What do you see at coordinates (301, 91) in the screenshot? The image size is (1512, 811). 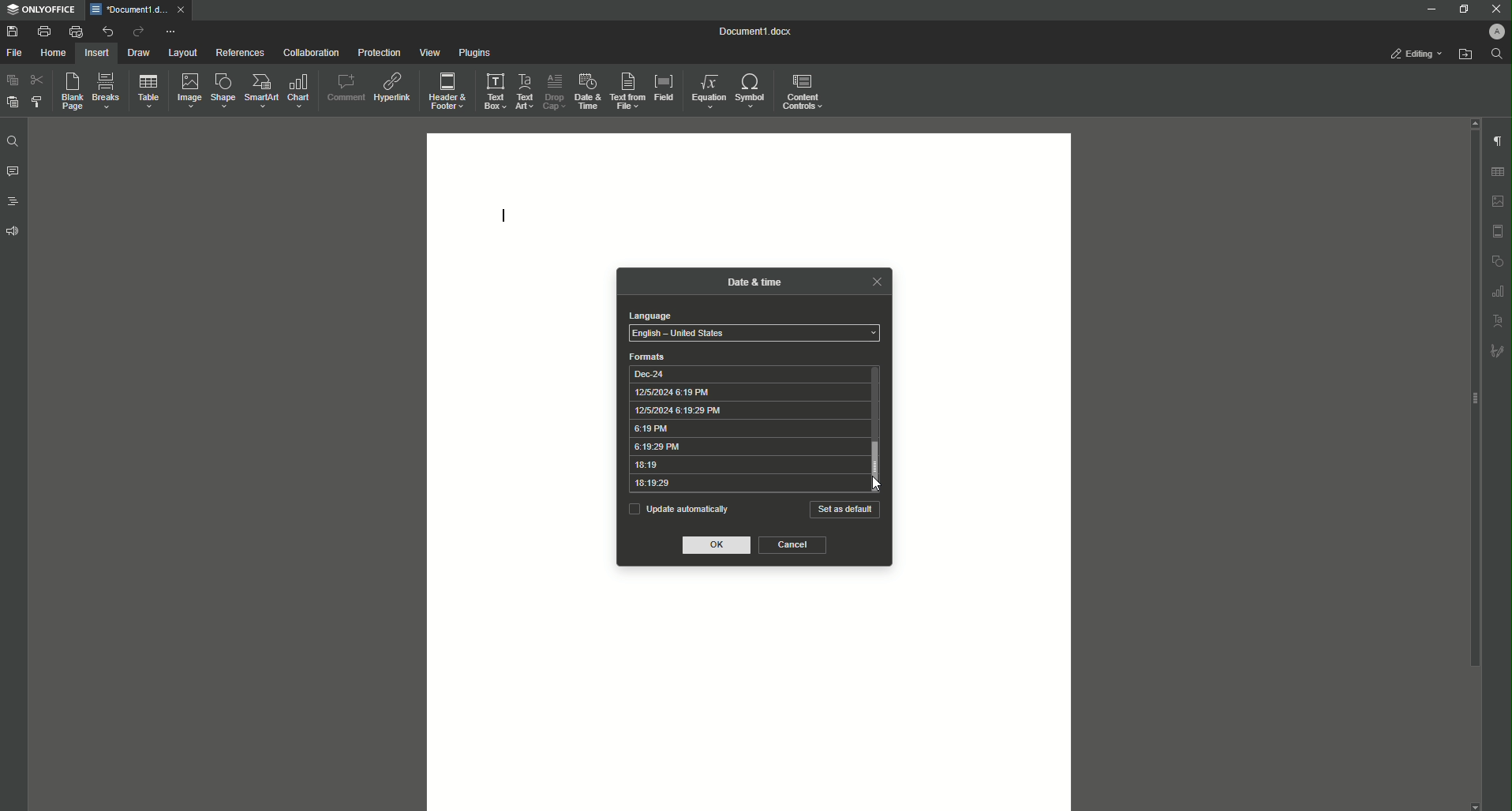 I see `Chart` at bounding box center [301, 91].